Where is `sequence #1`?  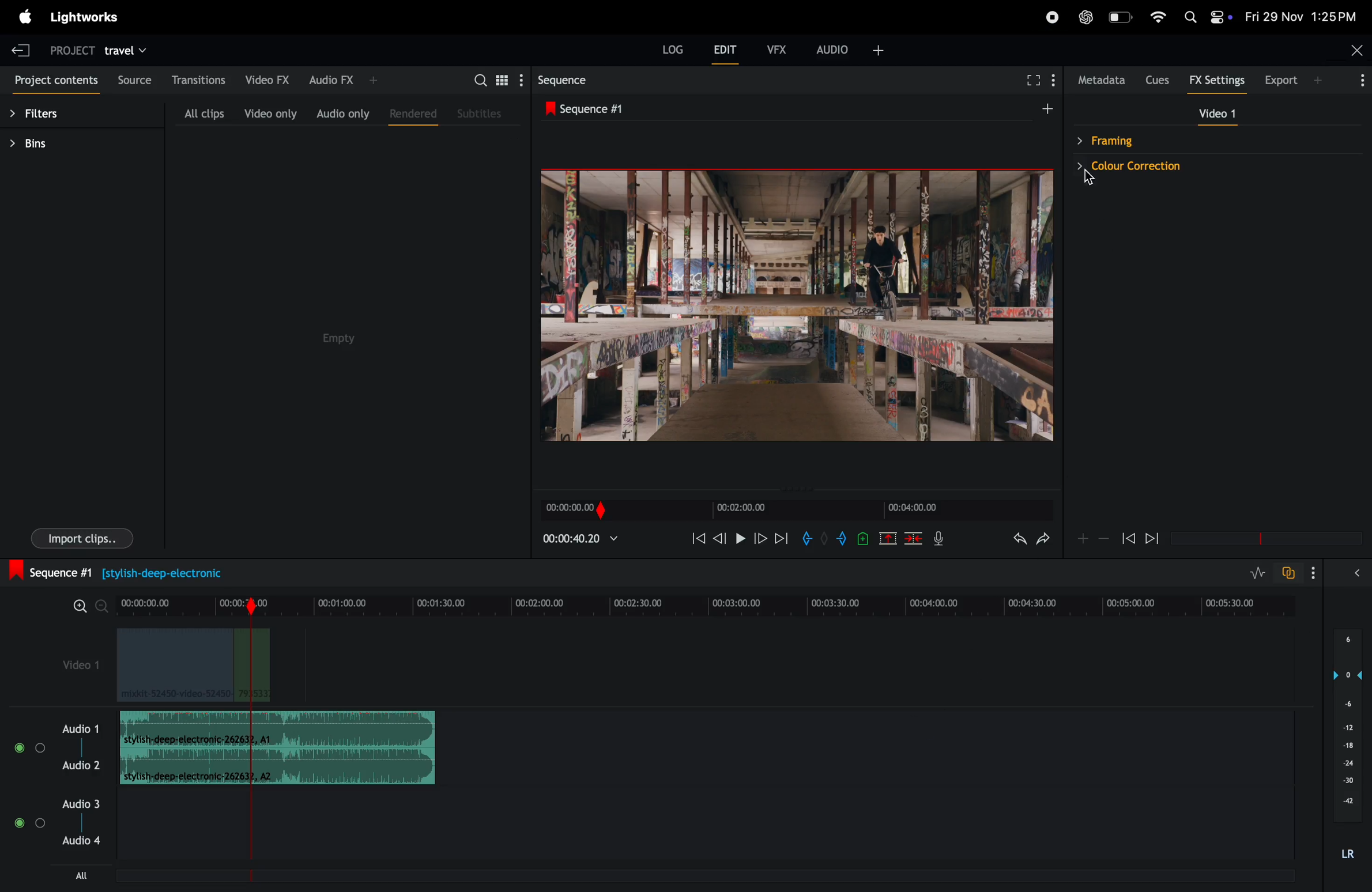 sequence #1 is located at coordinates (794, 107).